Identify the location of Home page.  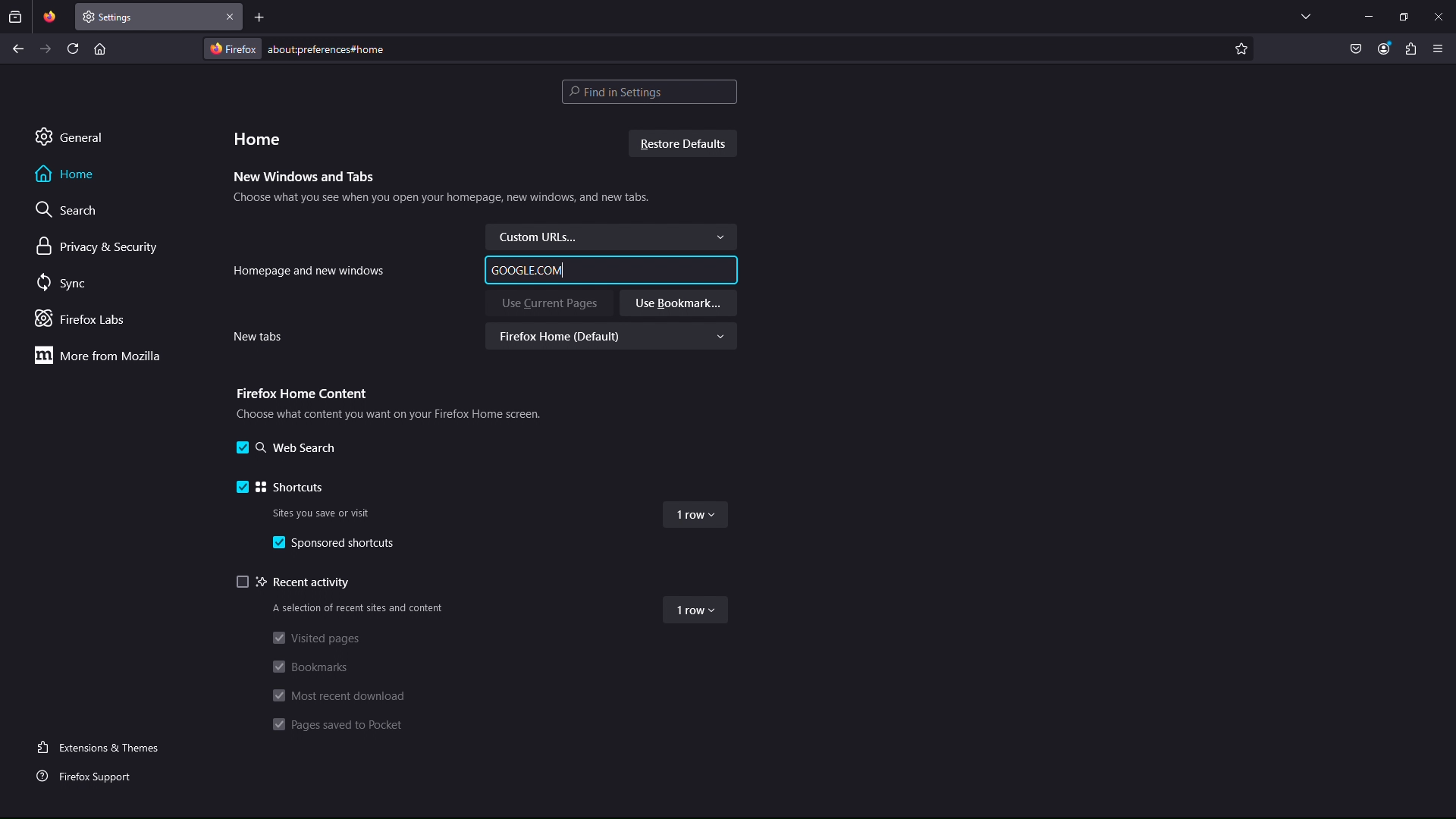
(99, 48).